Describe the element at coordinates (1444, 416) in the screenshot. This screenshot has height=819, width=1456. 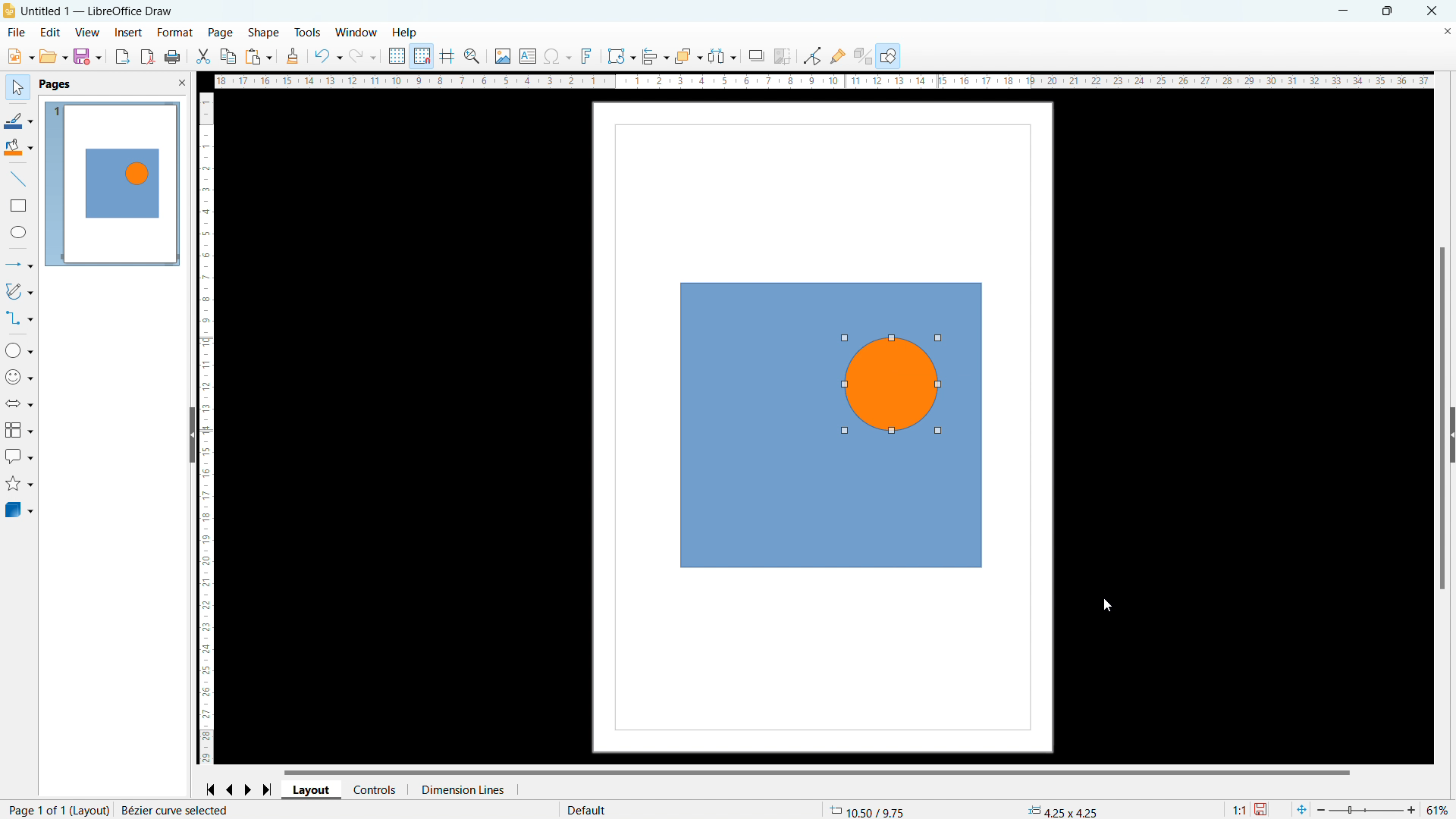
I see `vertical scrollbar` at that location.